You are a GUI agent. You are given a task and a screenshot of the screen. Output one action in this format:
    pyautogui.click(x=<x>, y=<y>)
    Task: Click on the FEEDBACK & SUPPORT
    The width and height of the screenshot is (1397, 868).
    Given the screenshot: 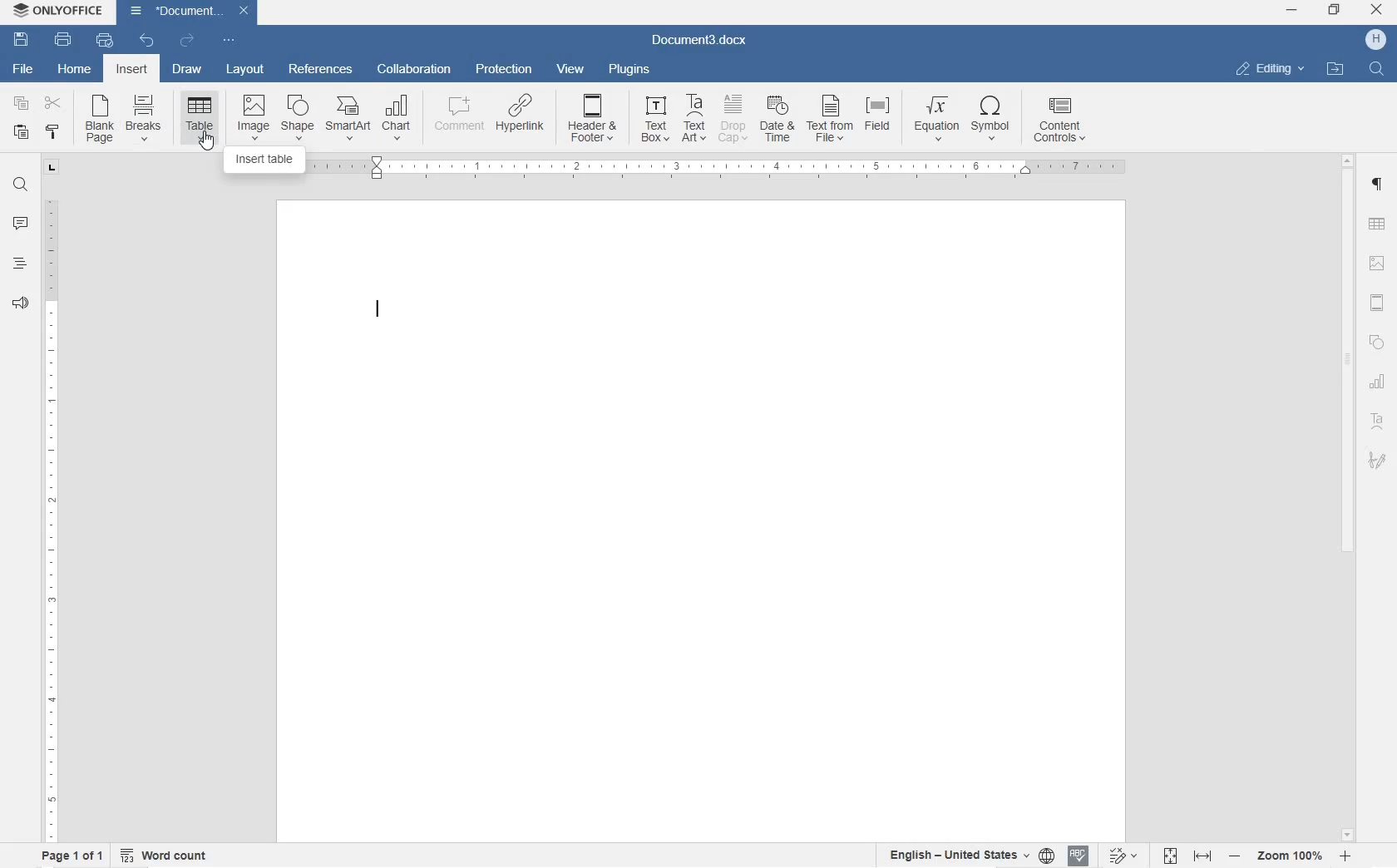 What is the action you would take?
    pyautogui.click(x=17, y=303)
    